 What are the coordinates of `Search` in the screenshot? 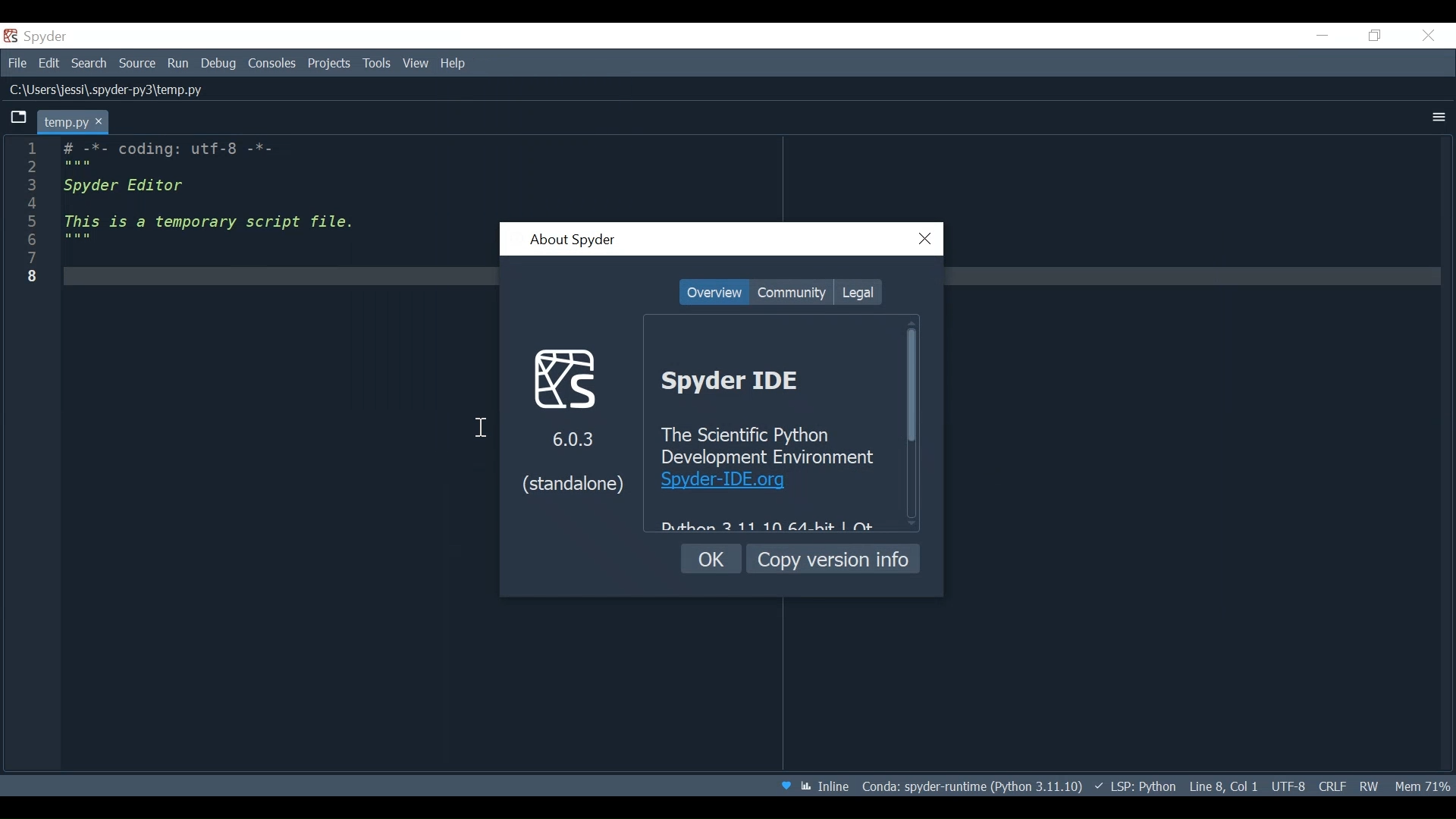 It's located at (88, 64).